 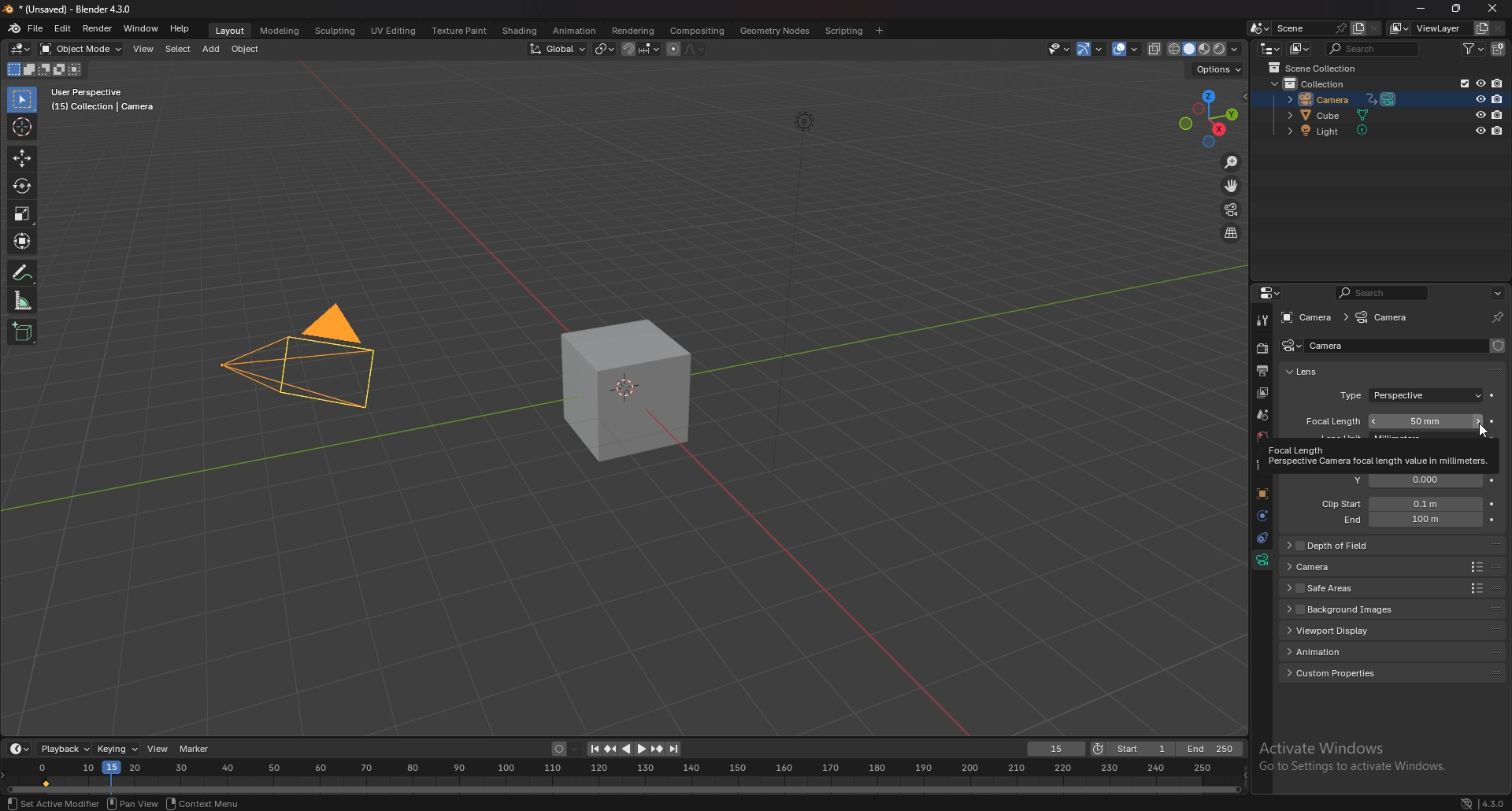 What do you see at coordinates (20, 49) in the screenshot?
I see `editor type` at bounding box center [20, 49].